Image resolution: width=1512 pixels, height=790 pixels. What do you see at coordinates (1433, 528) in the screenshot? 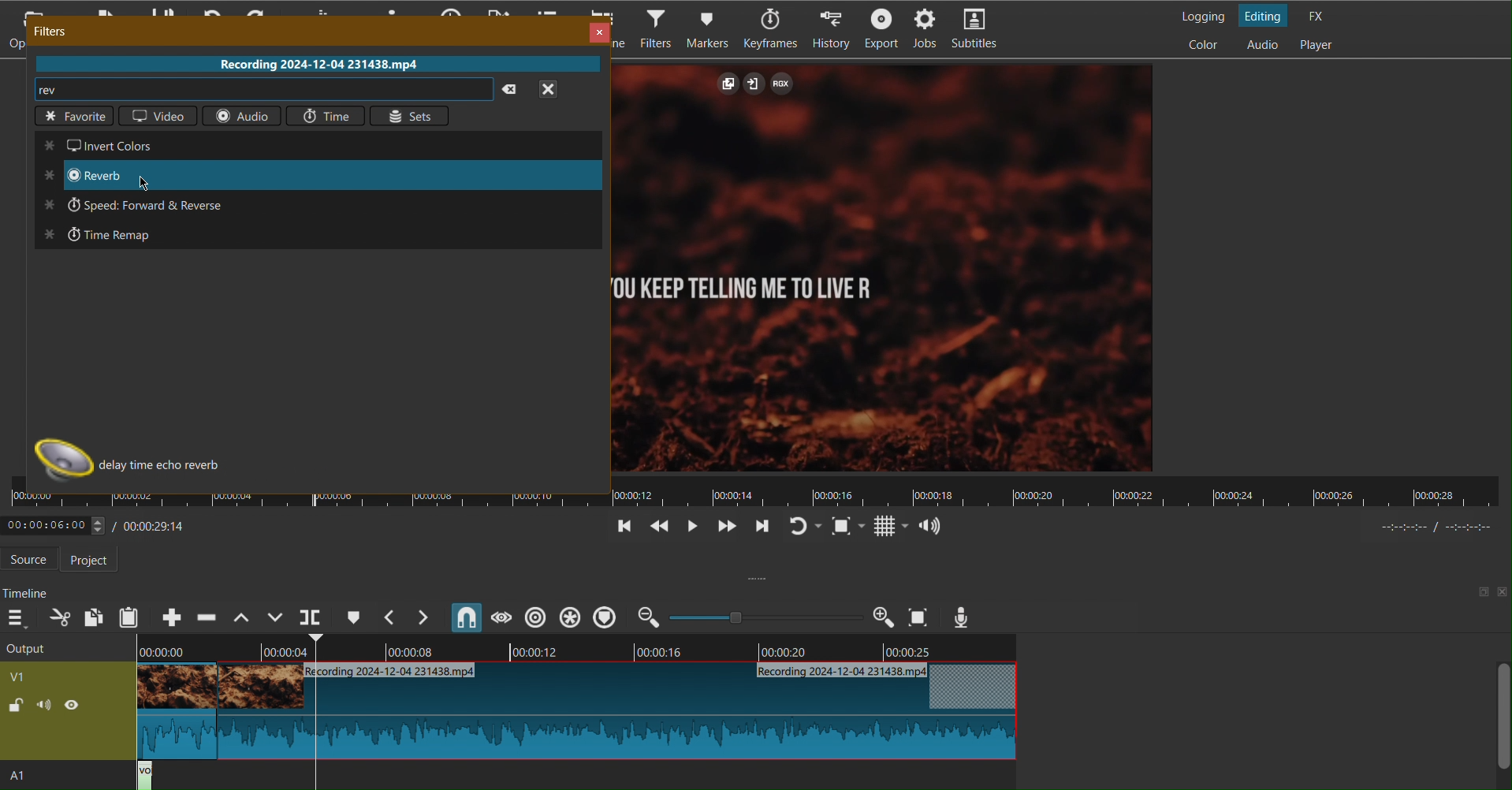
I see `time` at bounding box center [1433, 528].